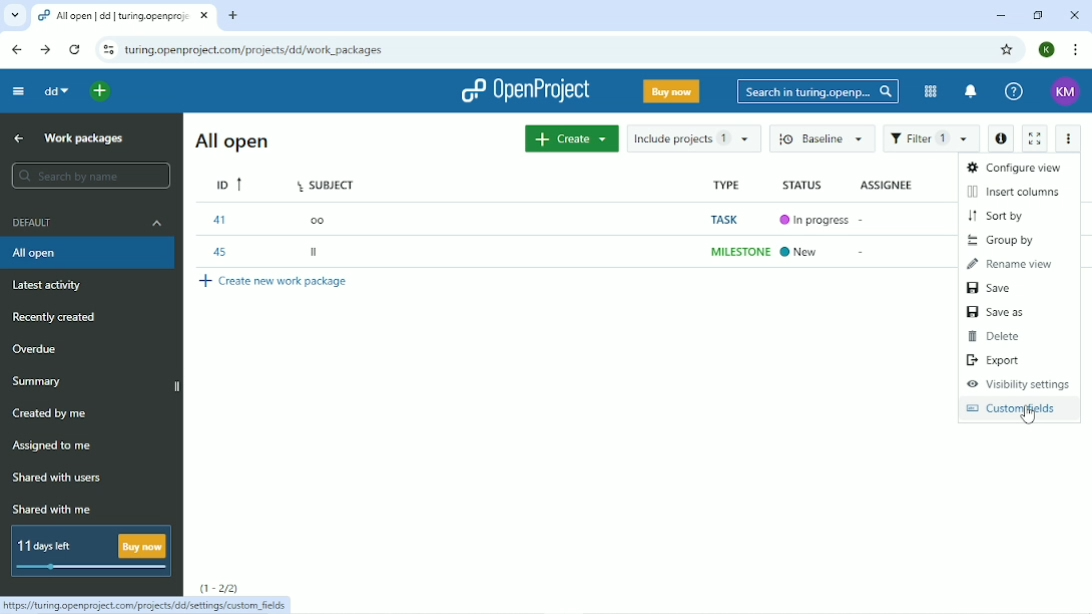 The height and width of the screenshot is (614, 1092). Describe the element at coordinates (220, 251) in the screenshot. I see `45` at that location.